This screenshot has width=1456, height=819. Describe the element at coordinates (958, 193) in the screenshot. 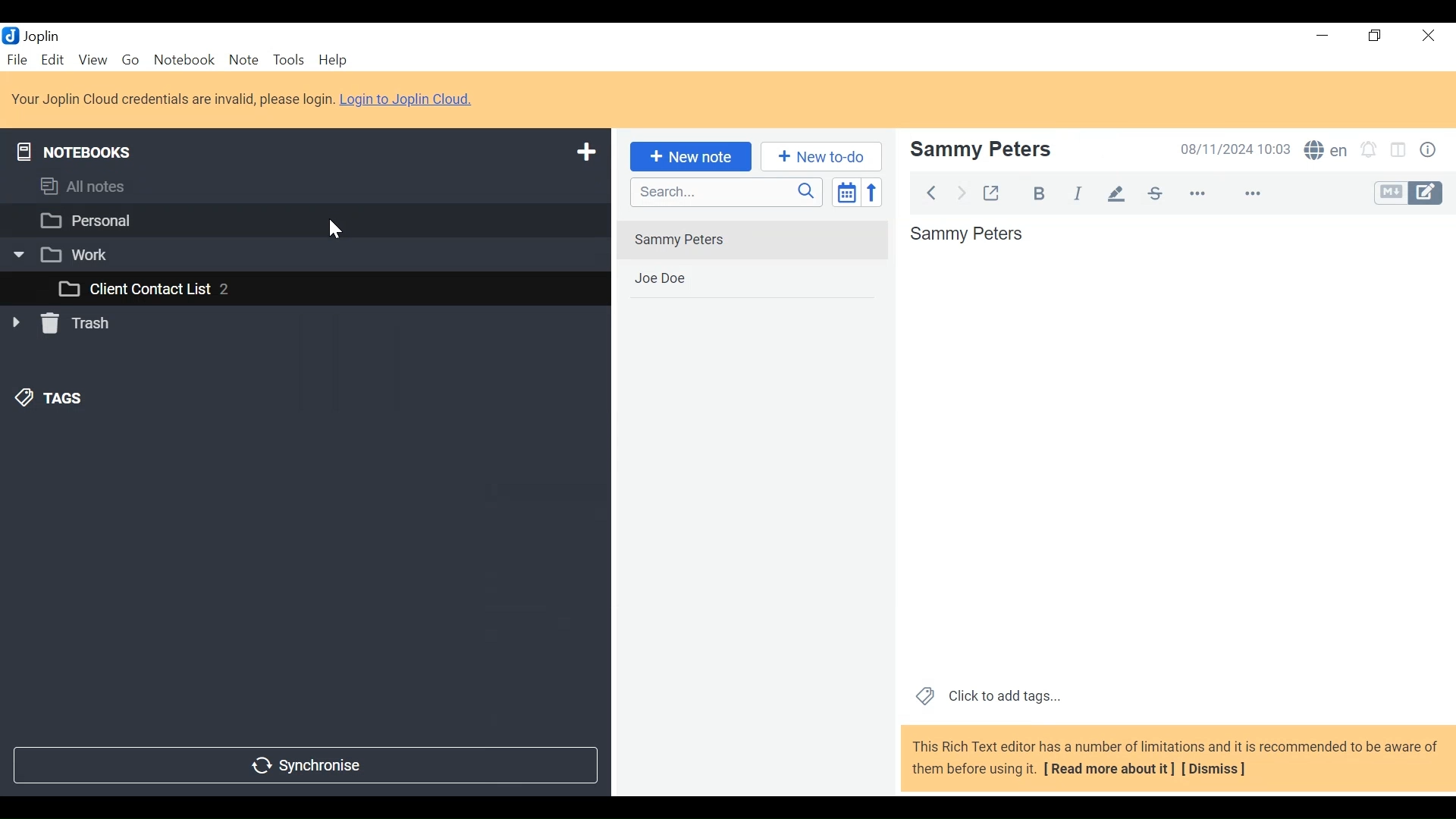

I see `Forward` at that location.